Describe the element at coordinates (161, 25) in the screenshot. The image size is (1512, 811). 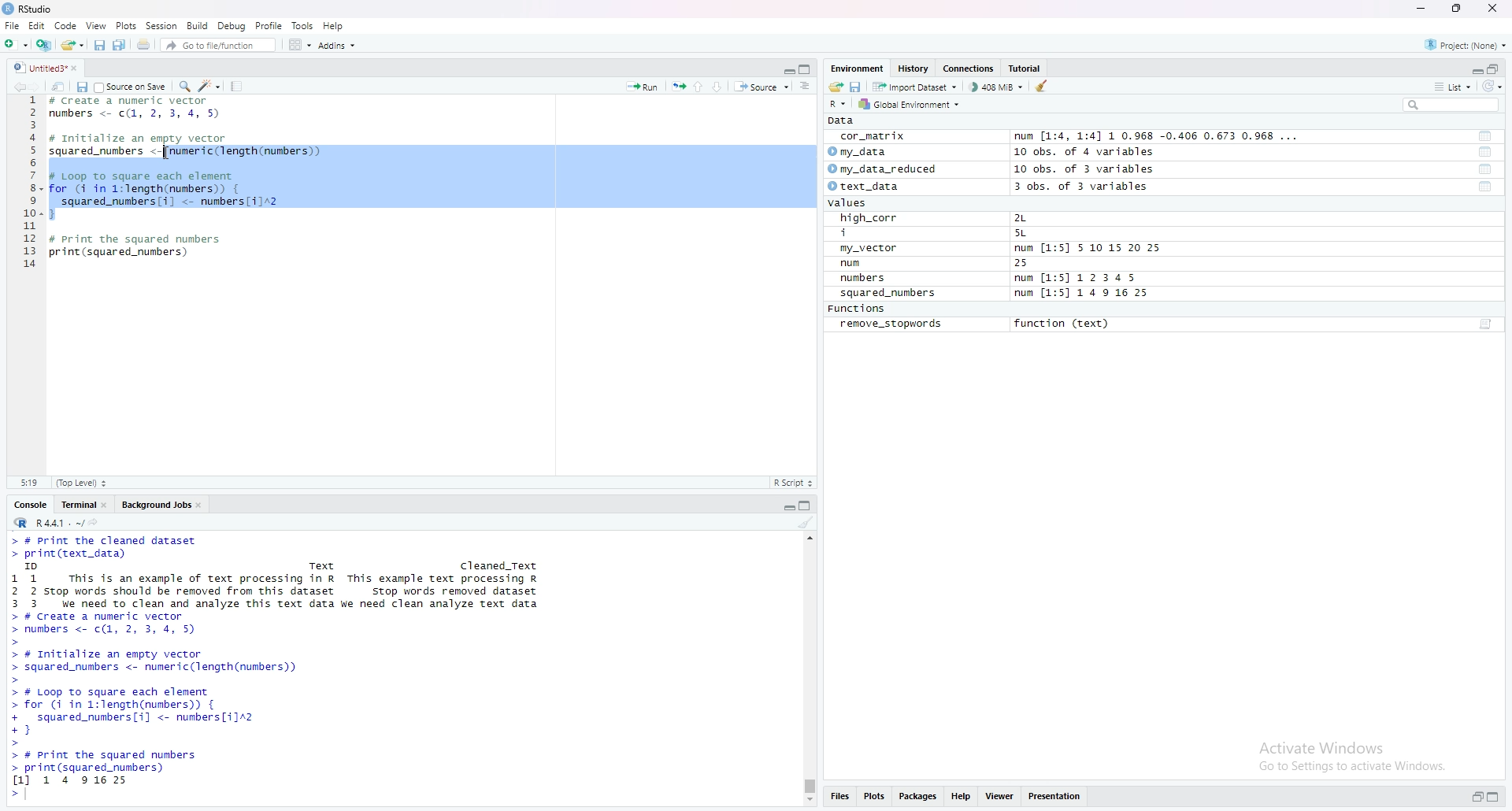
I see `Session` at that location.